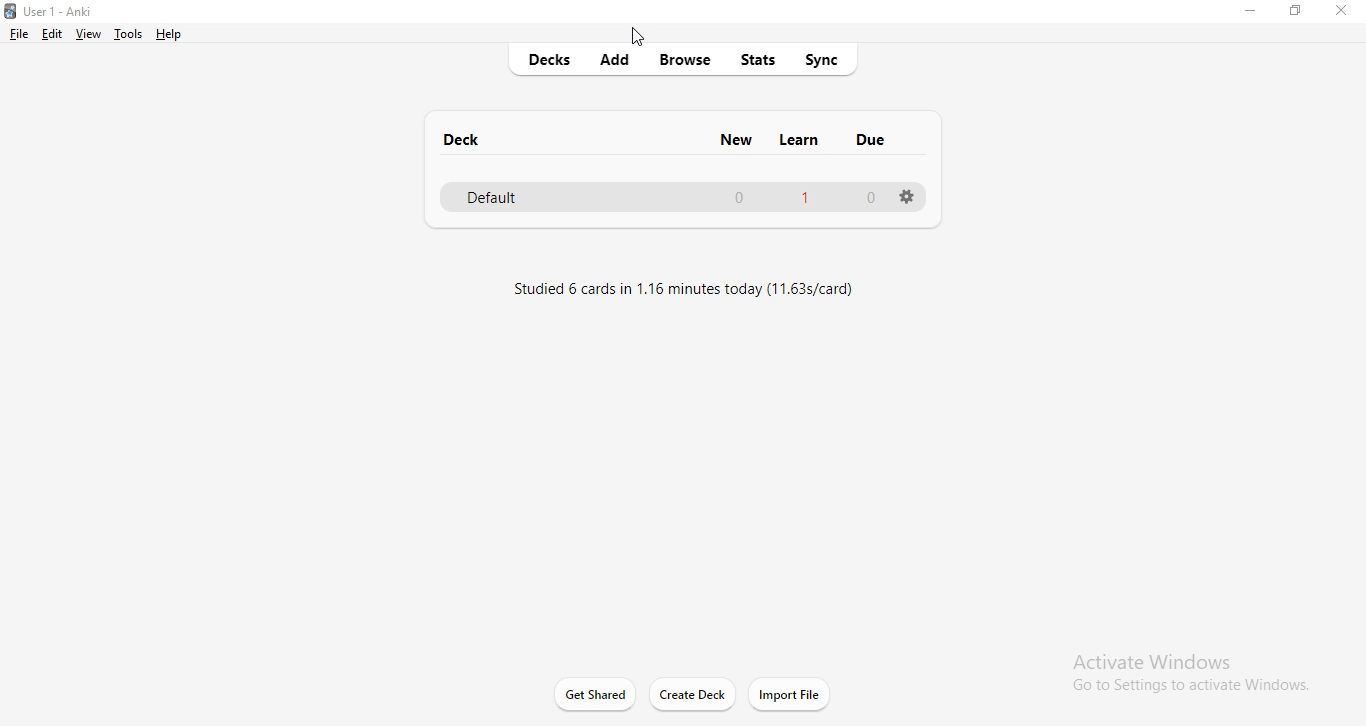 Image resolution: width=1366 pixels, height=726 pixels. What do you see at coordinates (734, 199) in the screenshot?
I see `0` at bounding box center [734, 199].